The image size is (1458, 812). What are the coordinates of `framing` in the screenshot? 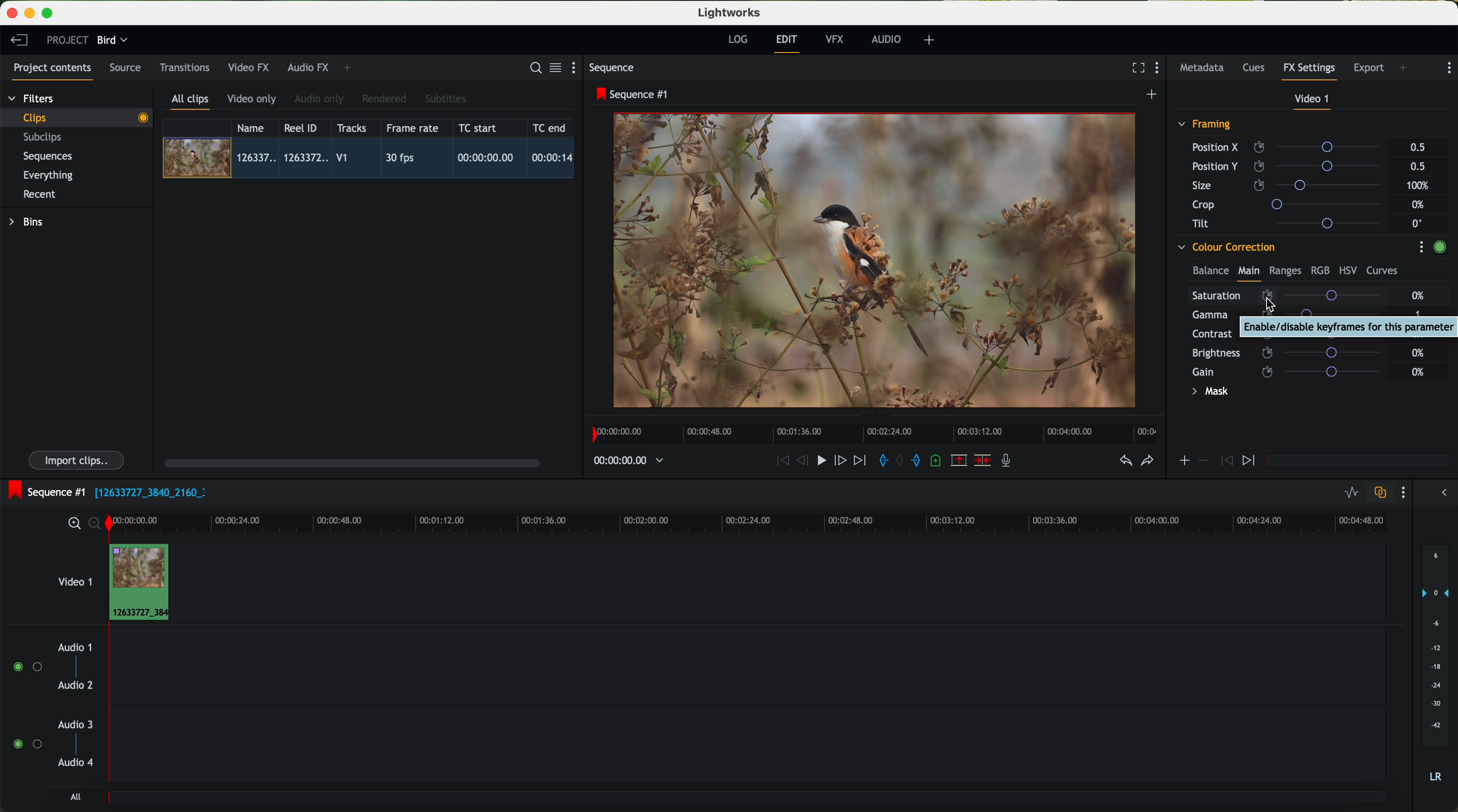 It's located at (1205, 126).